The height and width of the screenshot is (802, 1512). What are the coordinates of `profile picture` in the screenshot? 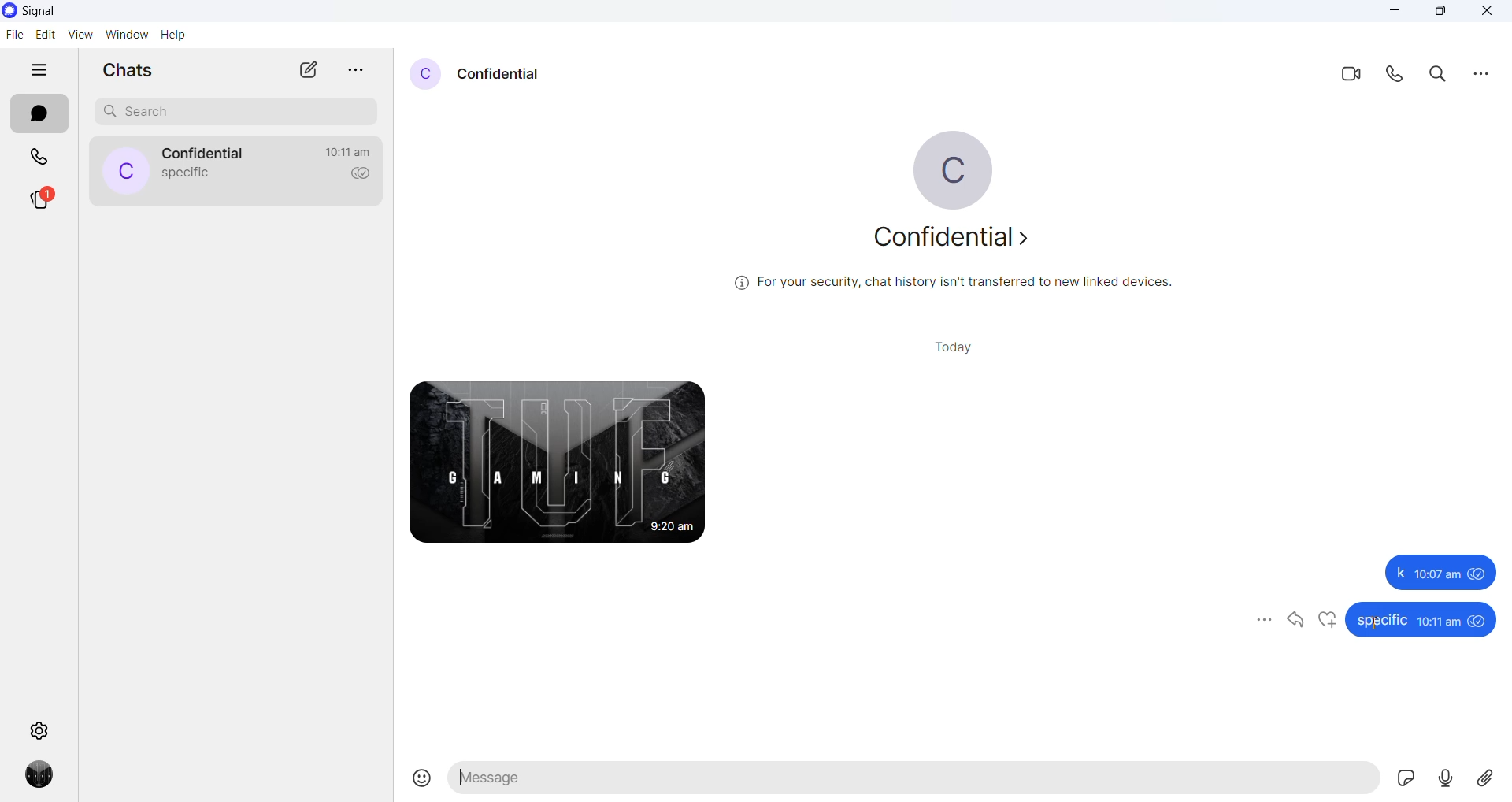 It's located at (960, 170).